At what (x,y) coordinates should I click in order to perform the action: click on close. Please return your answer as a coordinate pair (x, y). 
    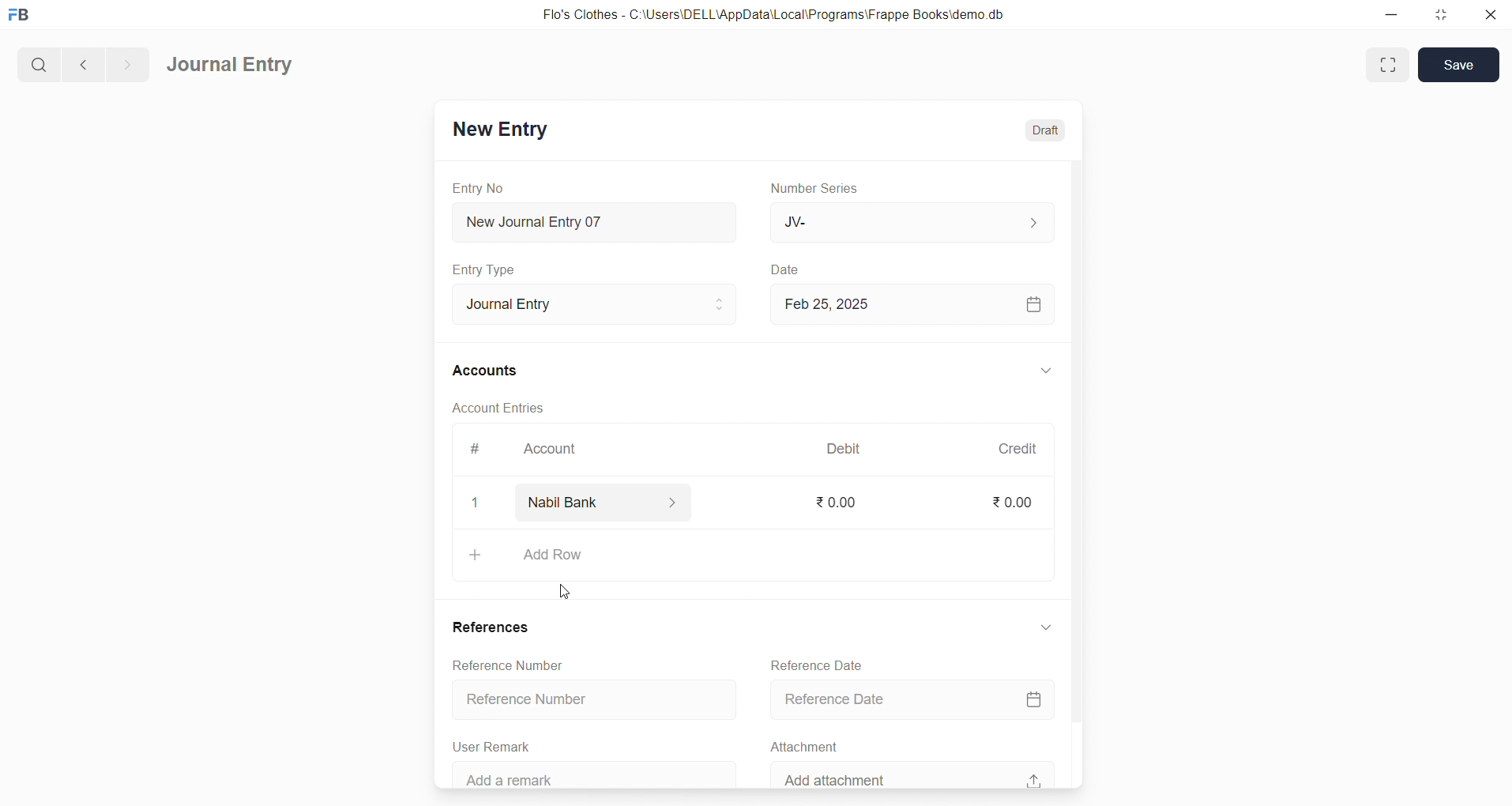
    Looking at the image, I should click on (1489, 16).